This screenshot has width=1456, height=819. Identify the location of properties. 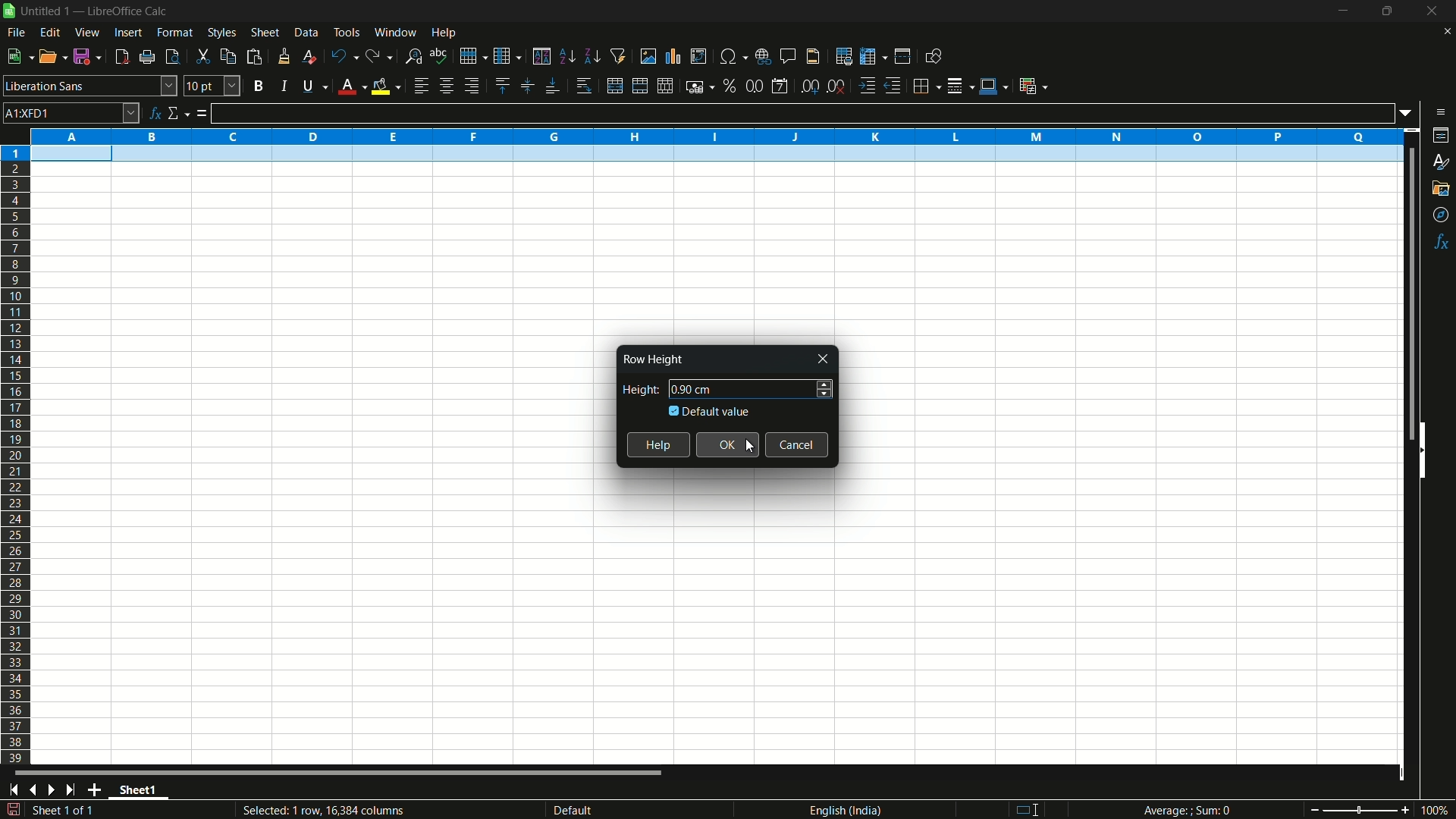
(1442, 135).